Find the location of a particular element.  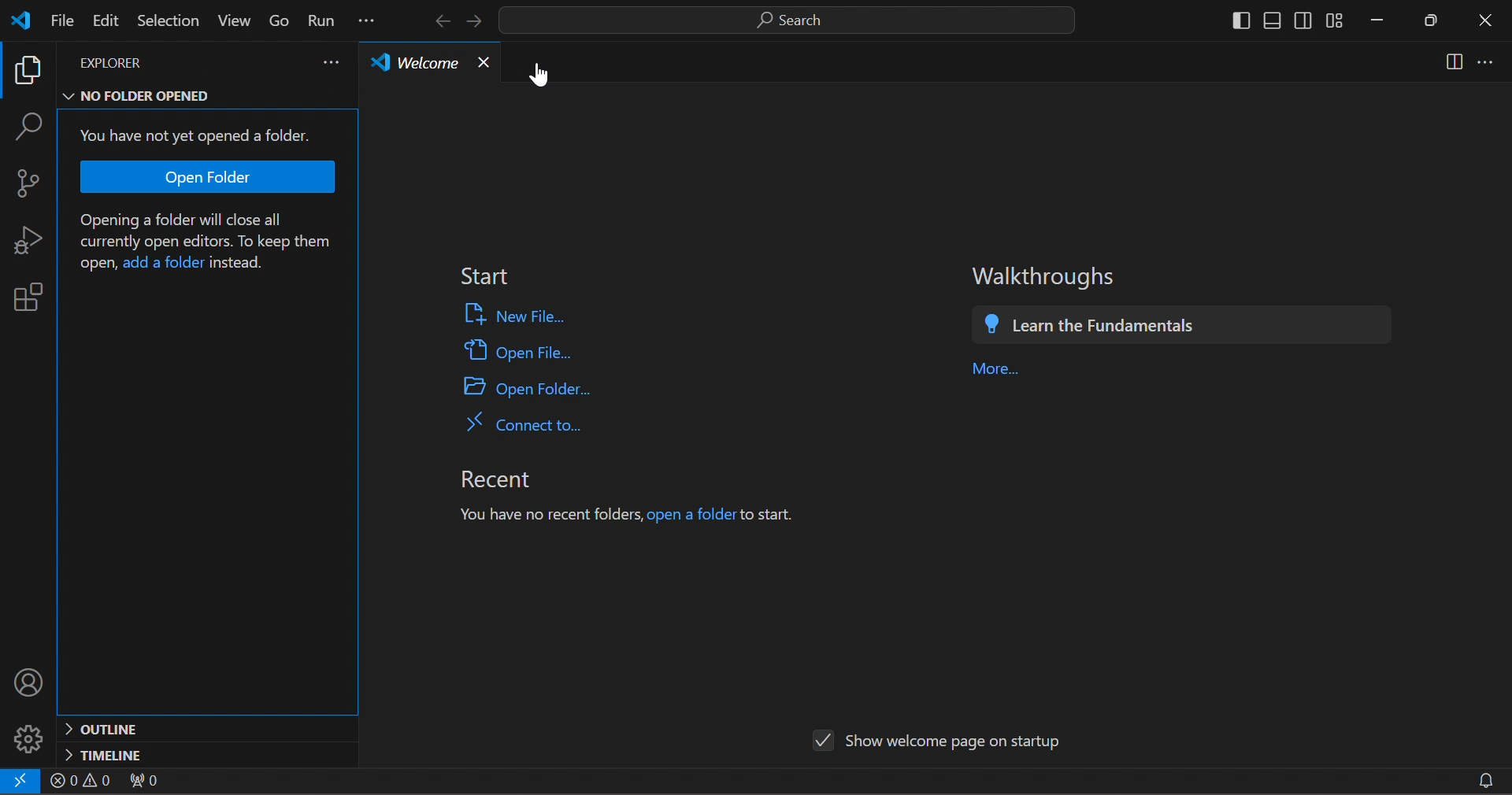

settings is located at coordinates (31, 738).